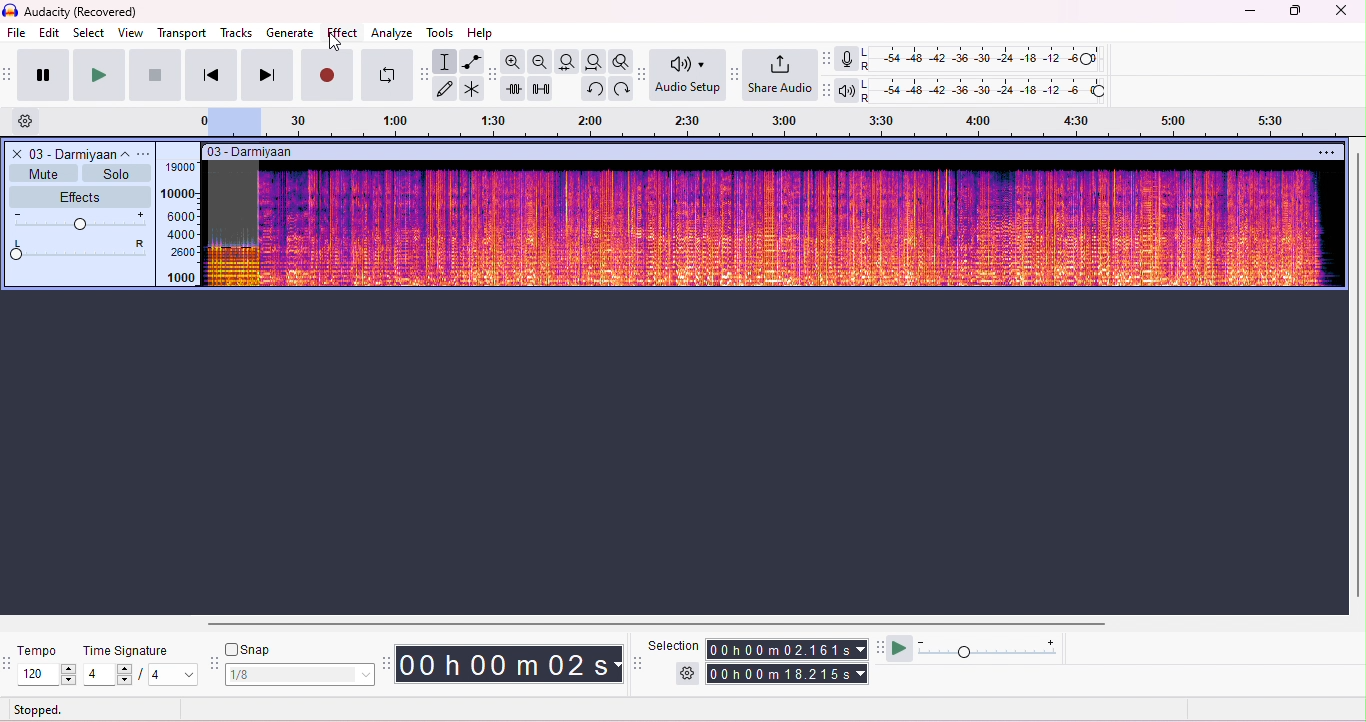 The height and width of the screenshot is (722, 1366). I want to click on play at speed tool bar, so click(879, 646).